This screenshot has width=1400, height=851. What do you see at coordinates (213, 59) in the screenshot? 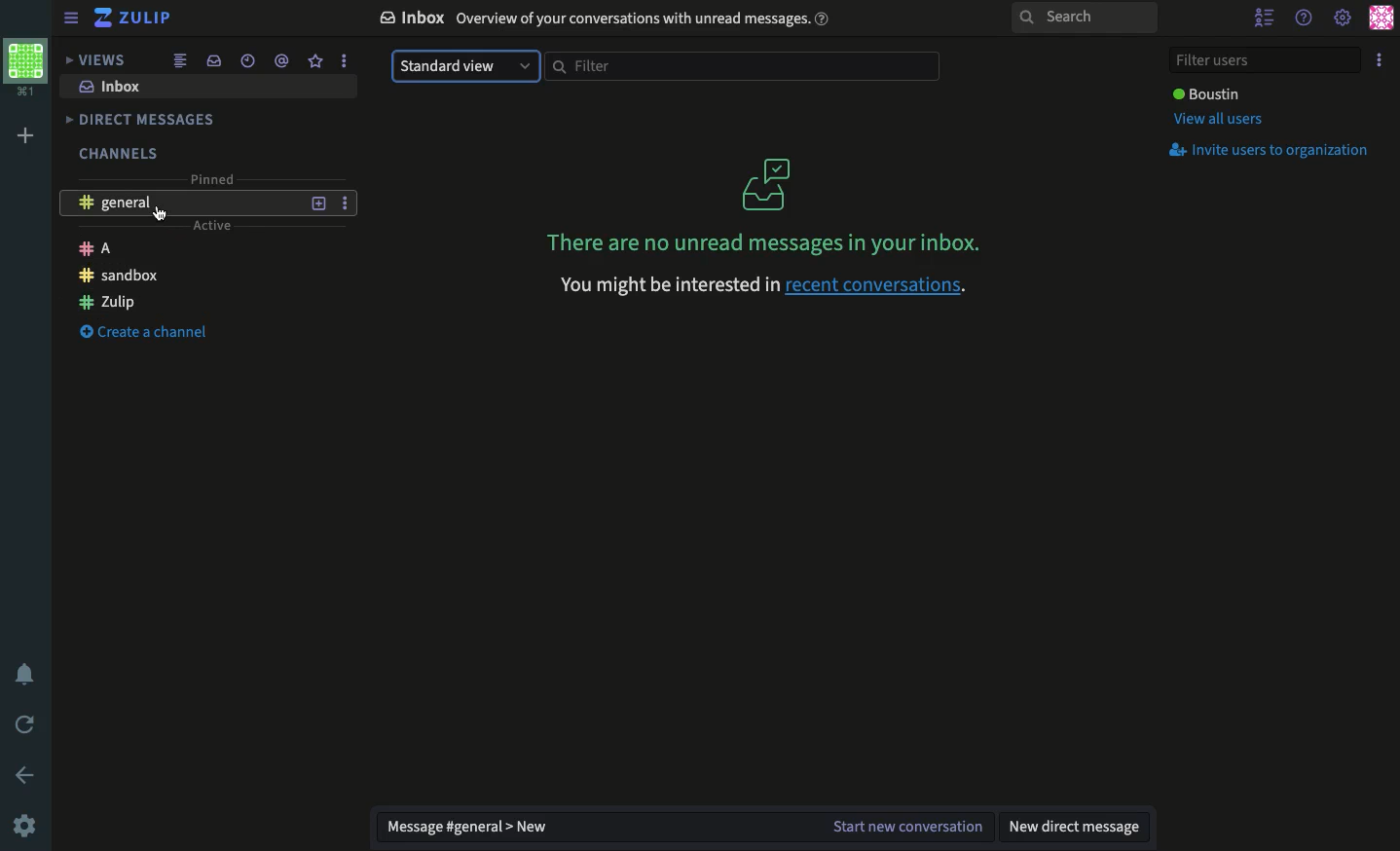
I see `Inbox` at bounding box center [213, 59].